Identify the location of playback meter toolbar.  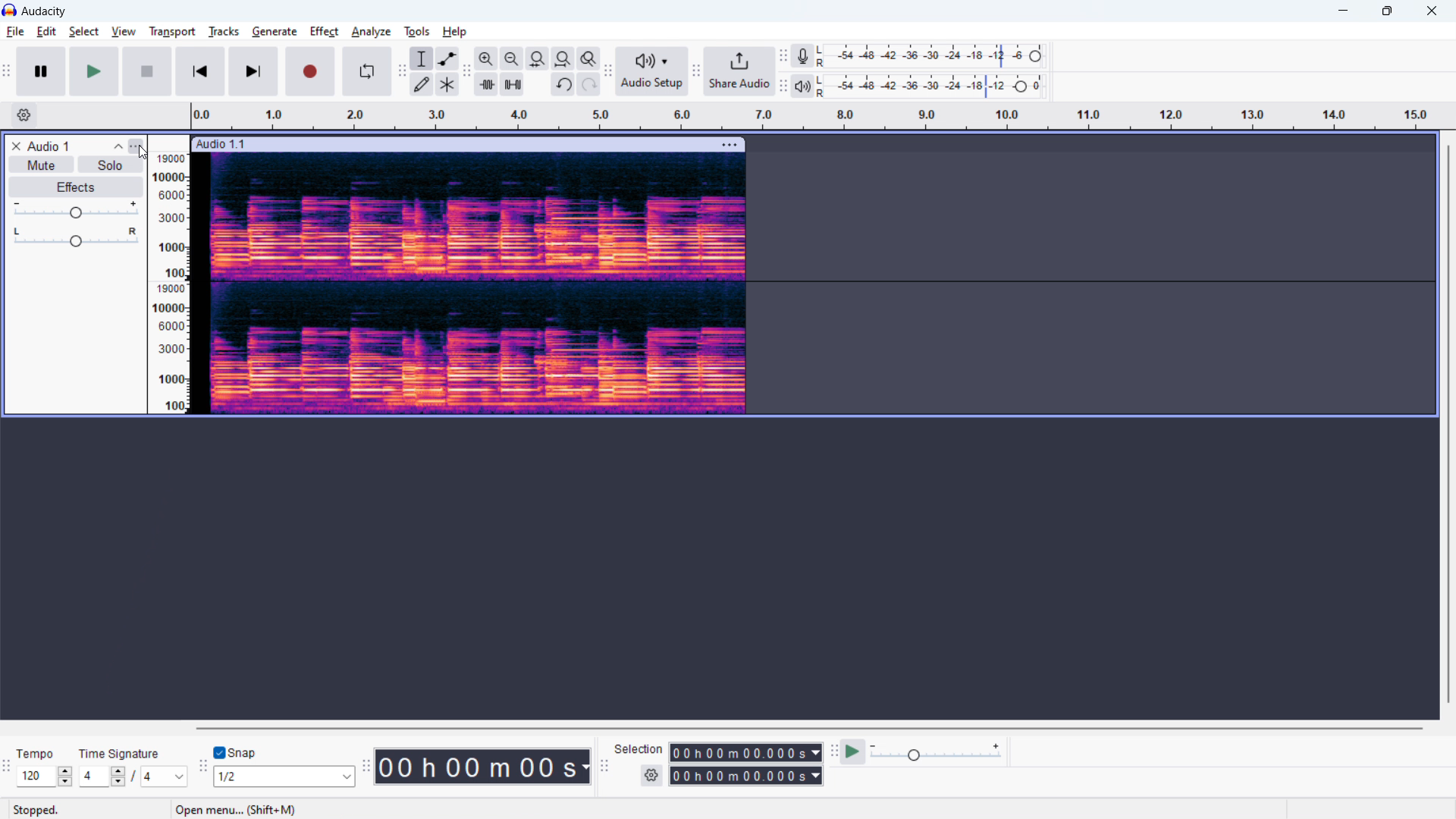
(783, 86).